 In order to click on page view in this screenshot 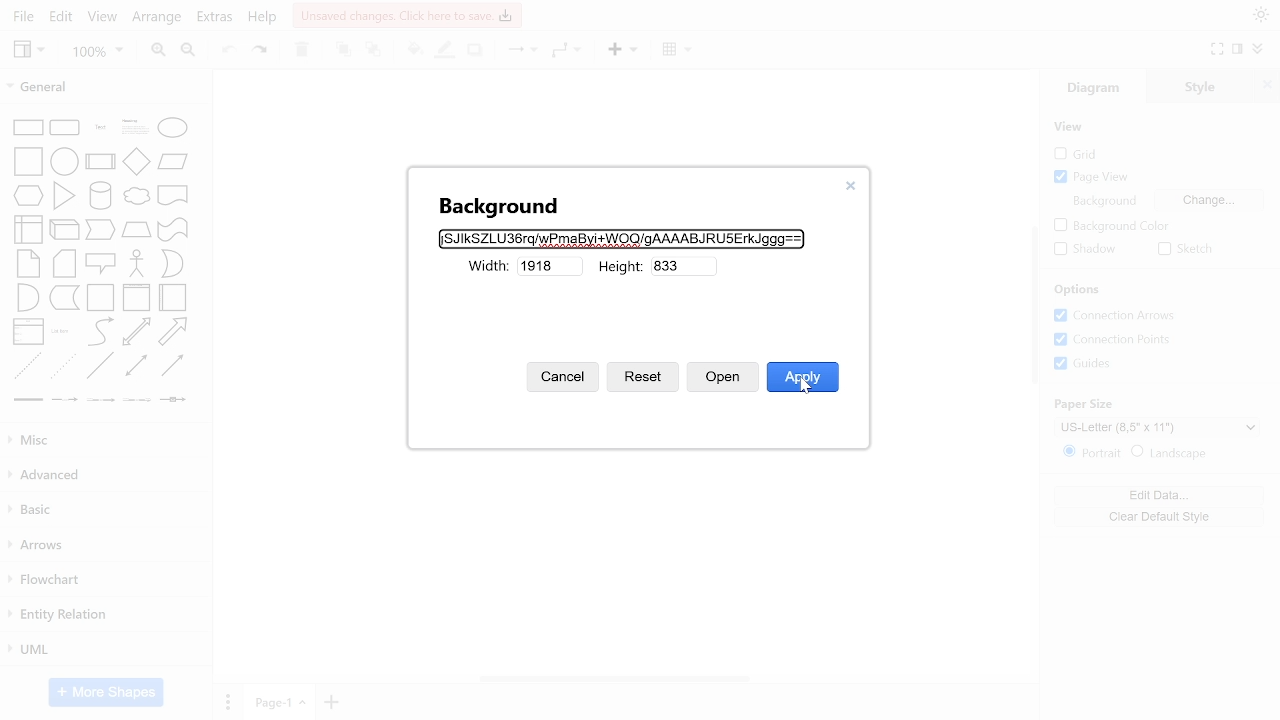, I will do `click(1094, 178)`.